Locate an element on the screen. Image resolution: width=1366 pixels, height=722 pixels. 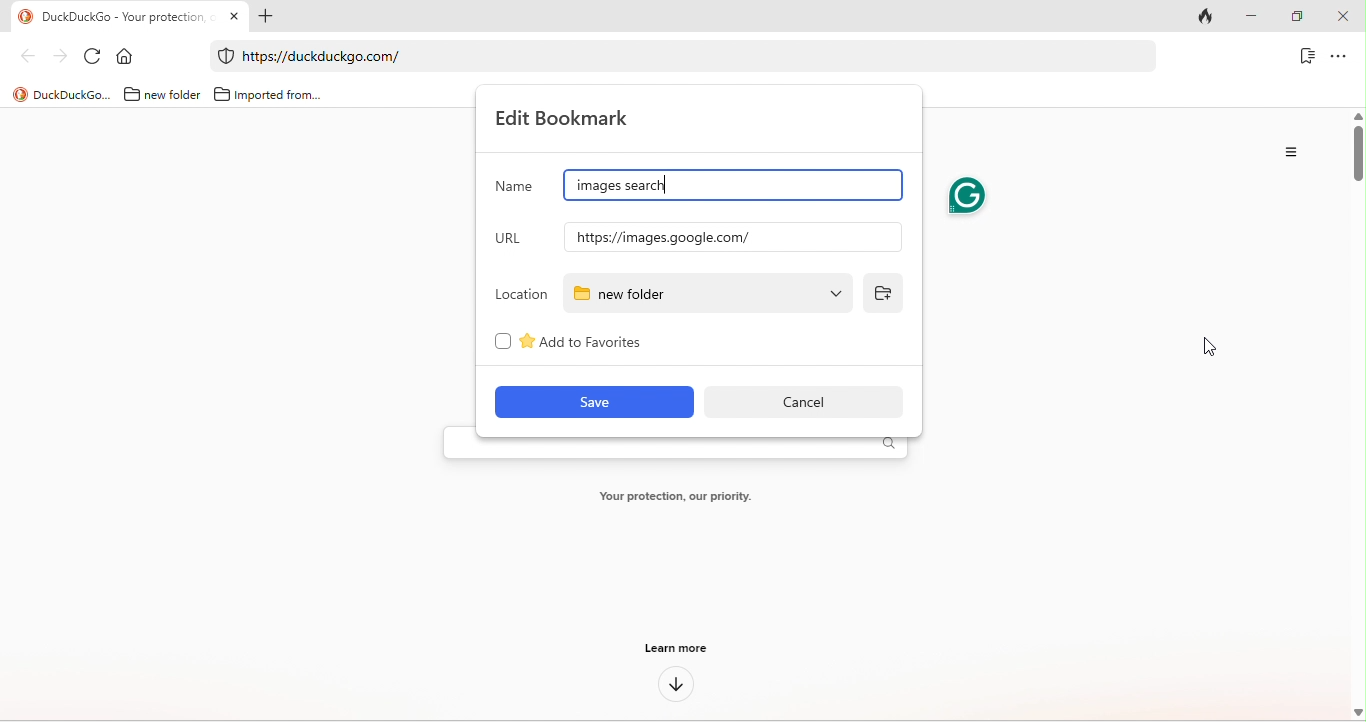
cancel is located at coordinates (801, 402).